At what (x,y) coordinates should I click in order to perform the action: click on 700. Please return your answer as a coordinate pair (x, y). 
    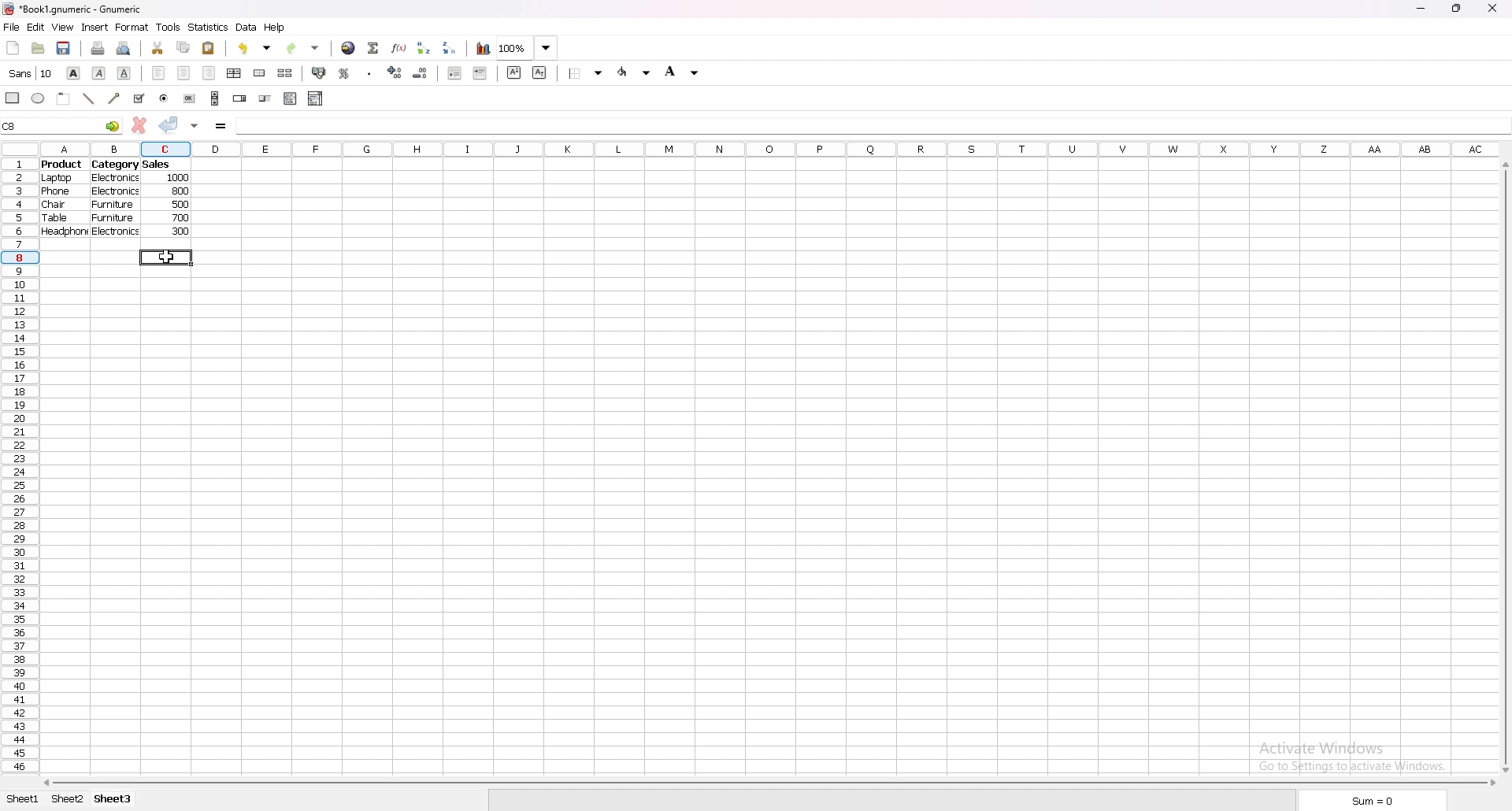
    Looking at the image, I should click on (183, 219).